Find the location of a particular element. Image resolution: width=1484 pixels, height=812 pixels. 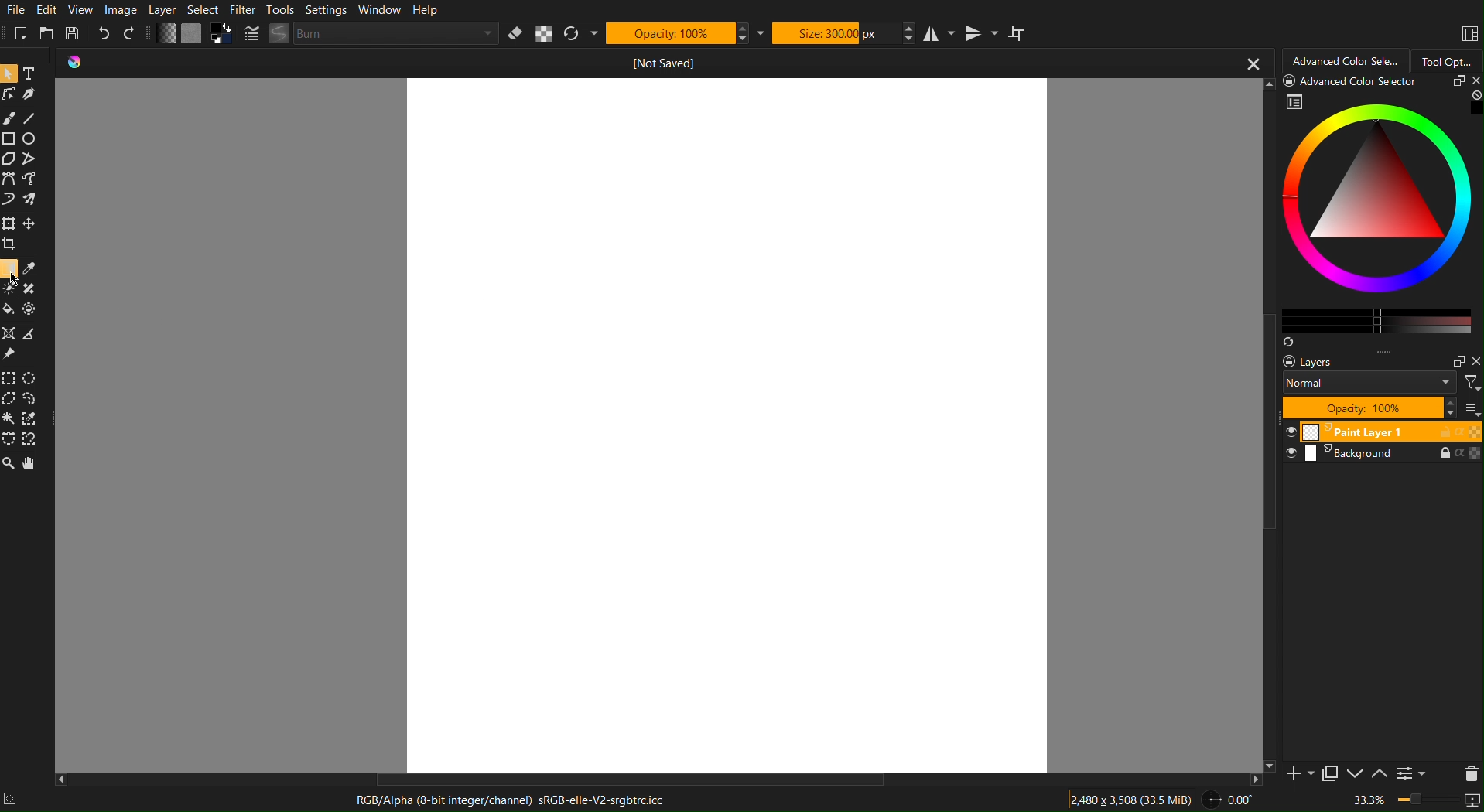

Redo is located at coordinates (132, 35).